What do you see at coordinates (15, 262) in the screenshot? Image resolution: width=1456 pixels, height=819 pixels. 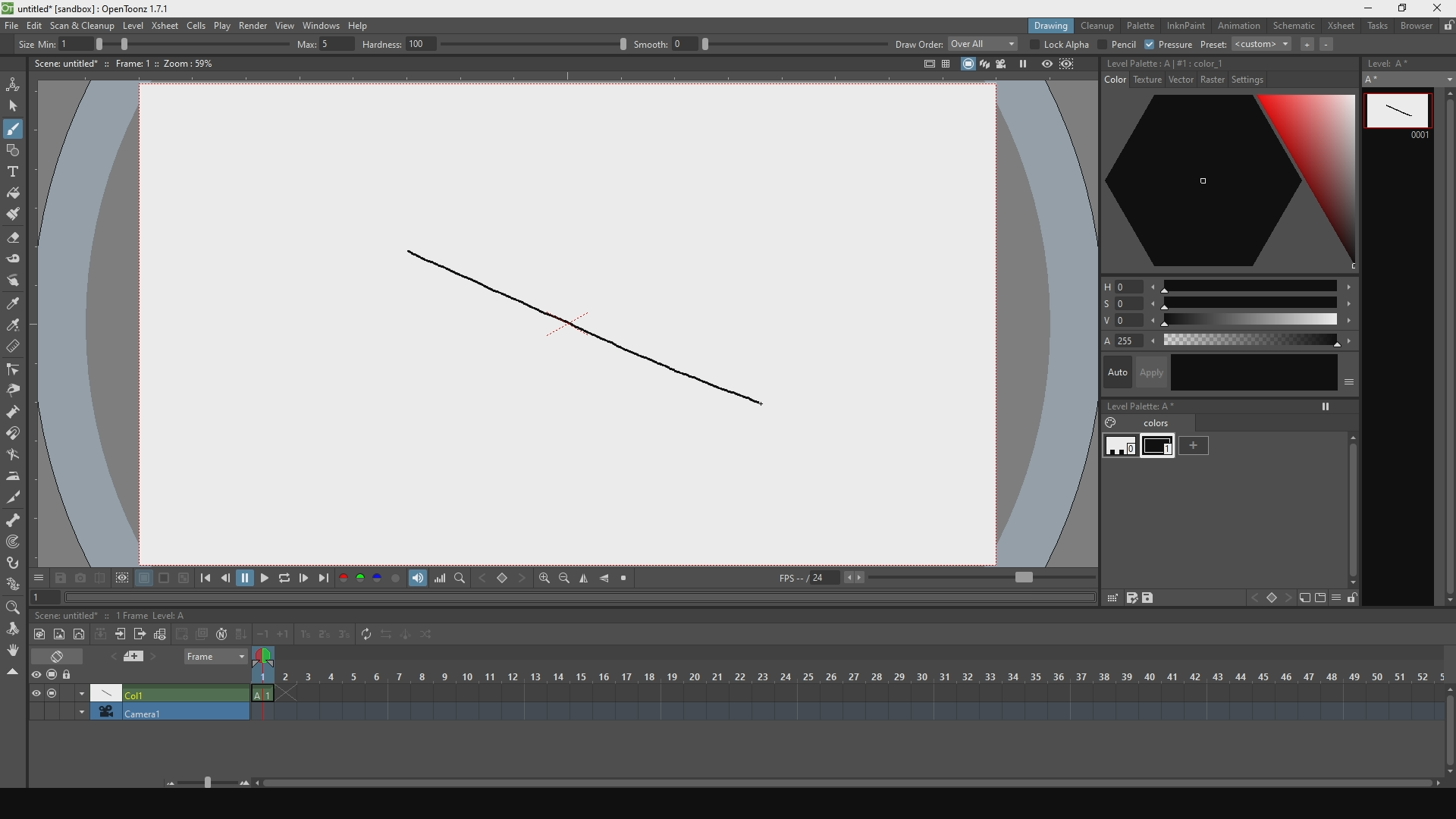 I see `tape` at bounding box center [15, 262].